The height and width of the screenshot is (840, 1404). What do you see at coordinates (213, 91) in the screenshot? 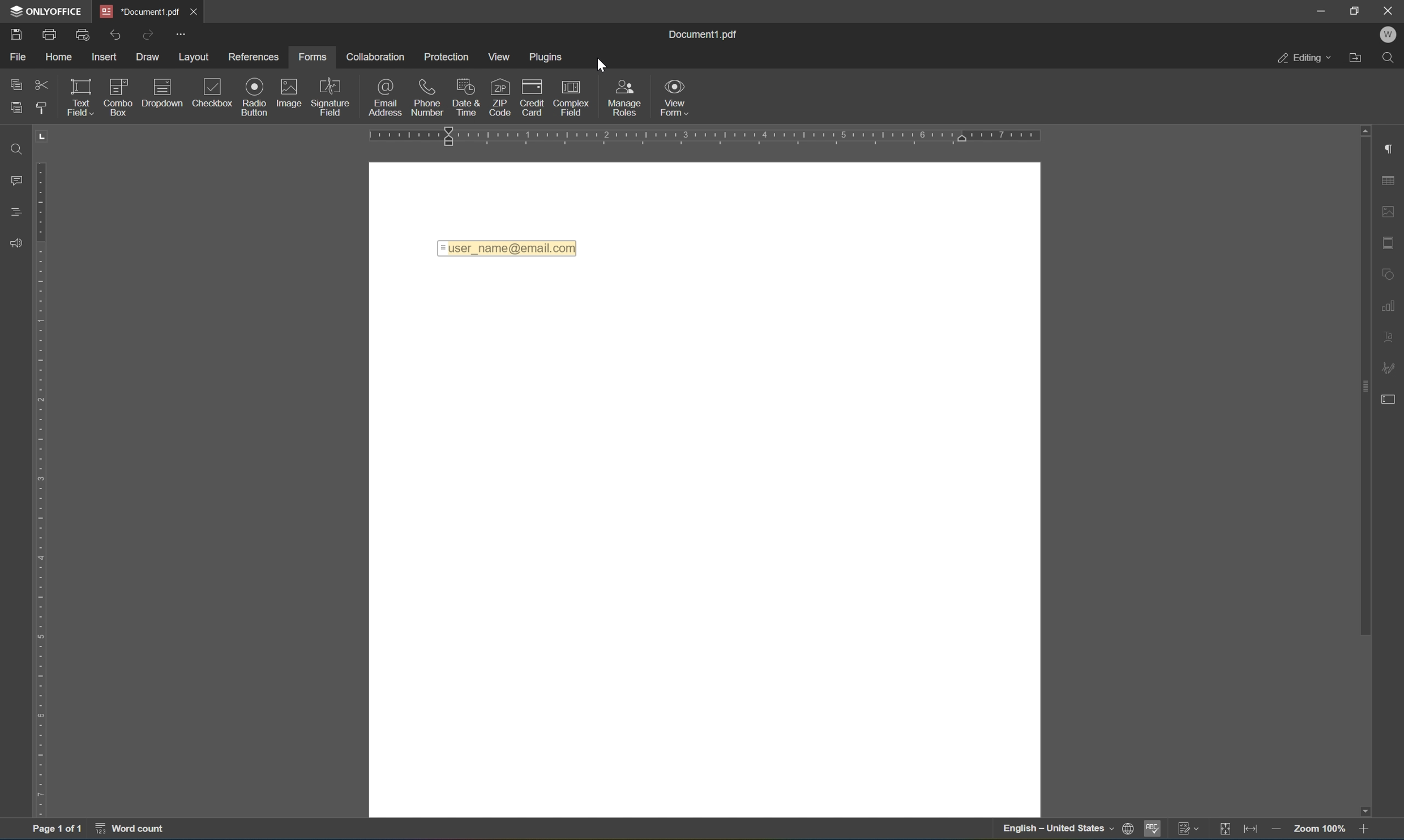
I see `checkbox` at bounding box center [213, 91].